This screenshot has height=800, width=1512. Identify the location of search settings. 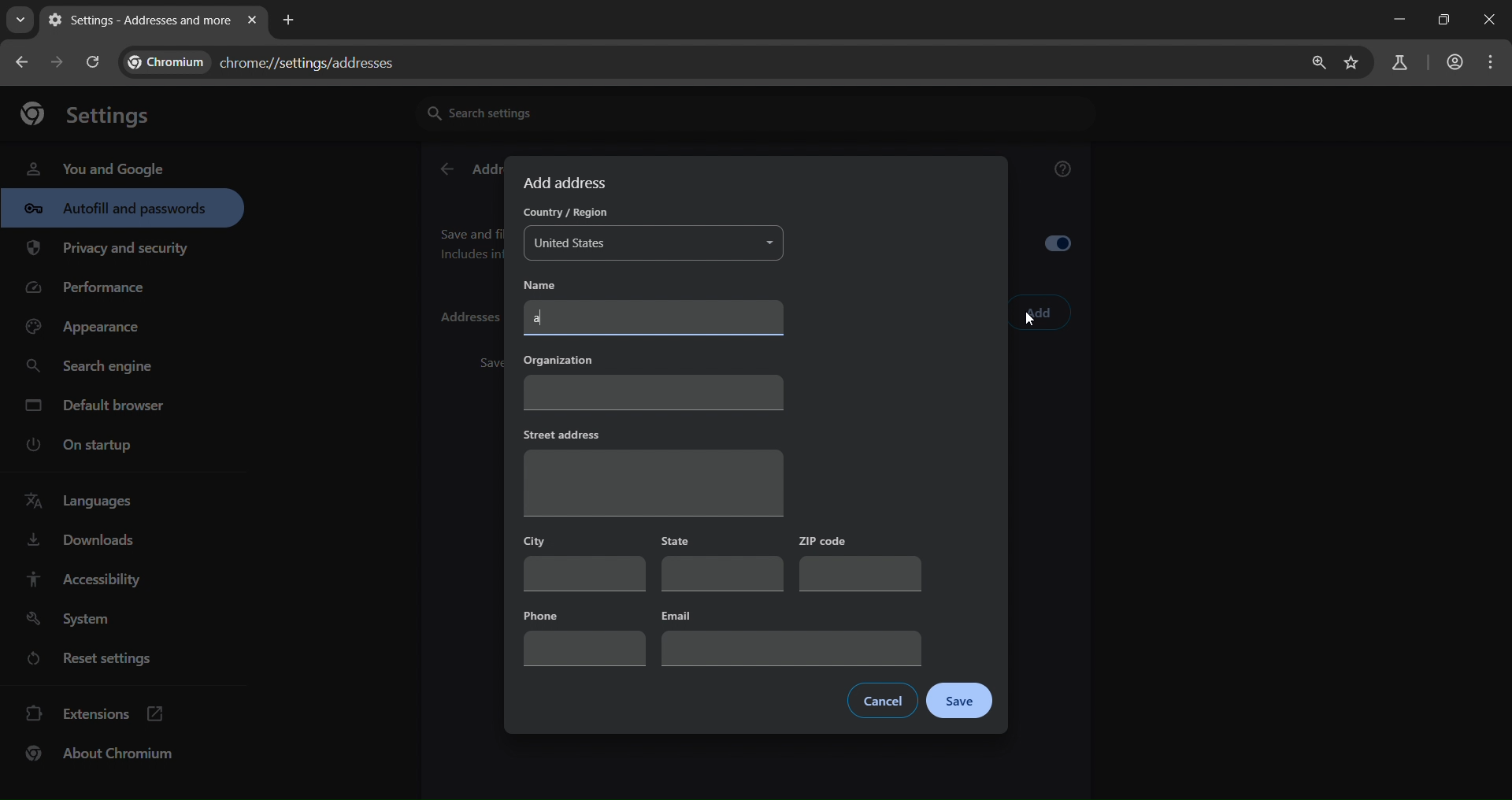
(563, 112).